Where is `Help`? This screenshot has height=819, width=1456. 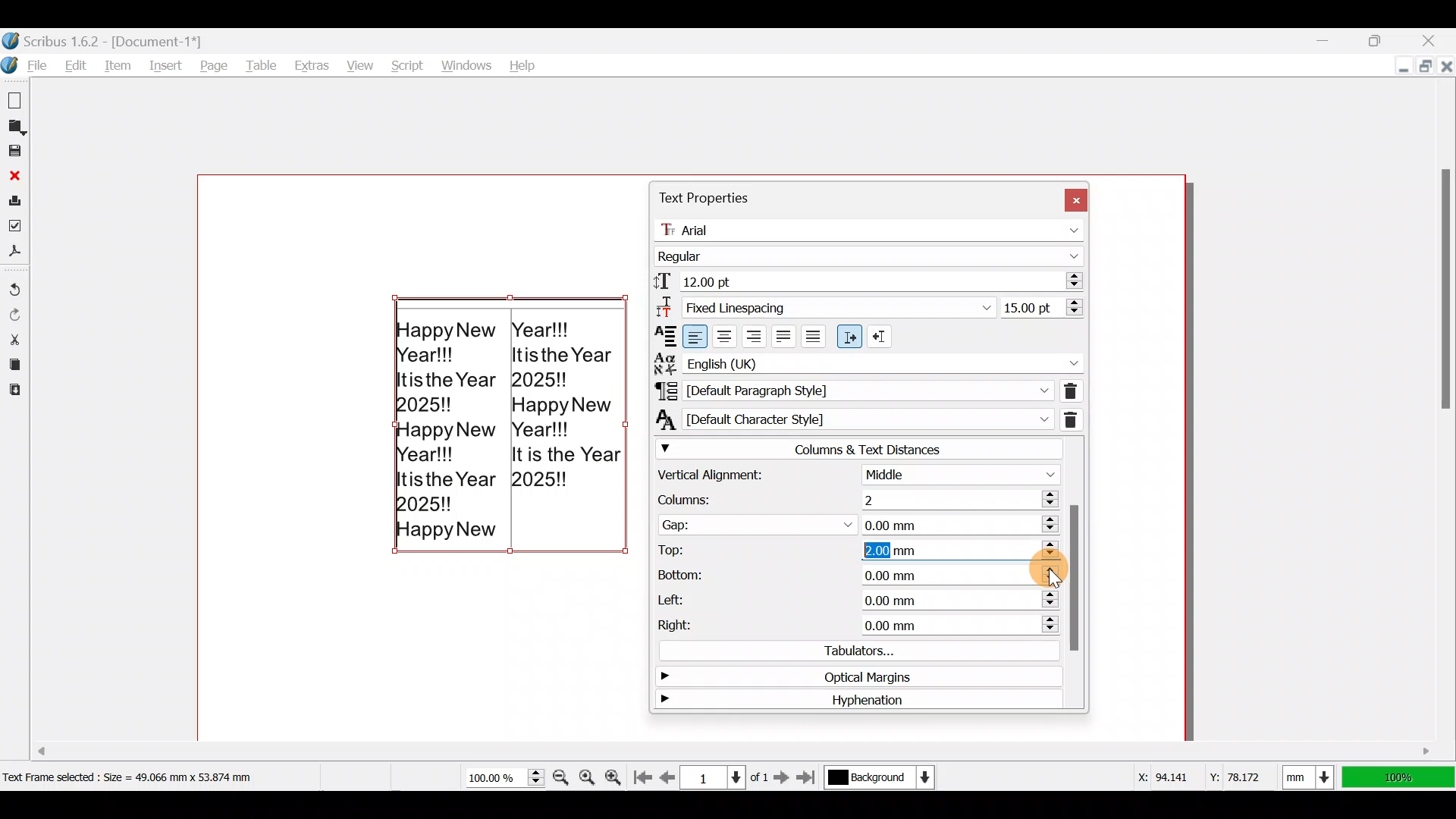 Help is located at coordinates (524, 62).